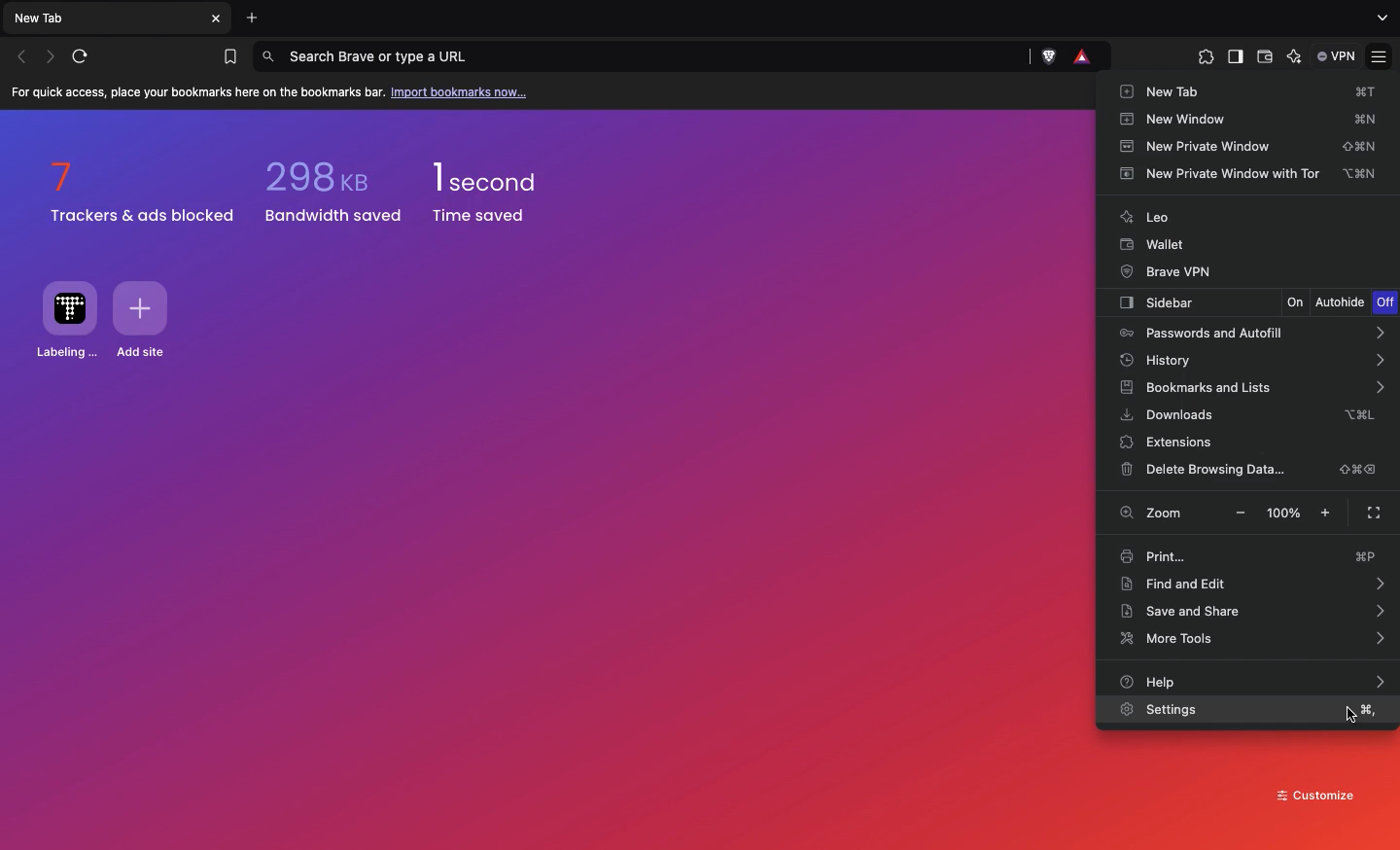  Describe the element at coordinates (148, 318) in the screenshot. I see `Add site` at that location.